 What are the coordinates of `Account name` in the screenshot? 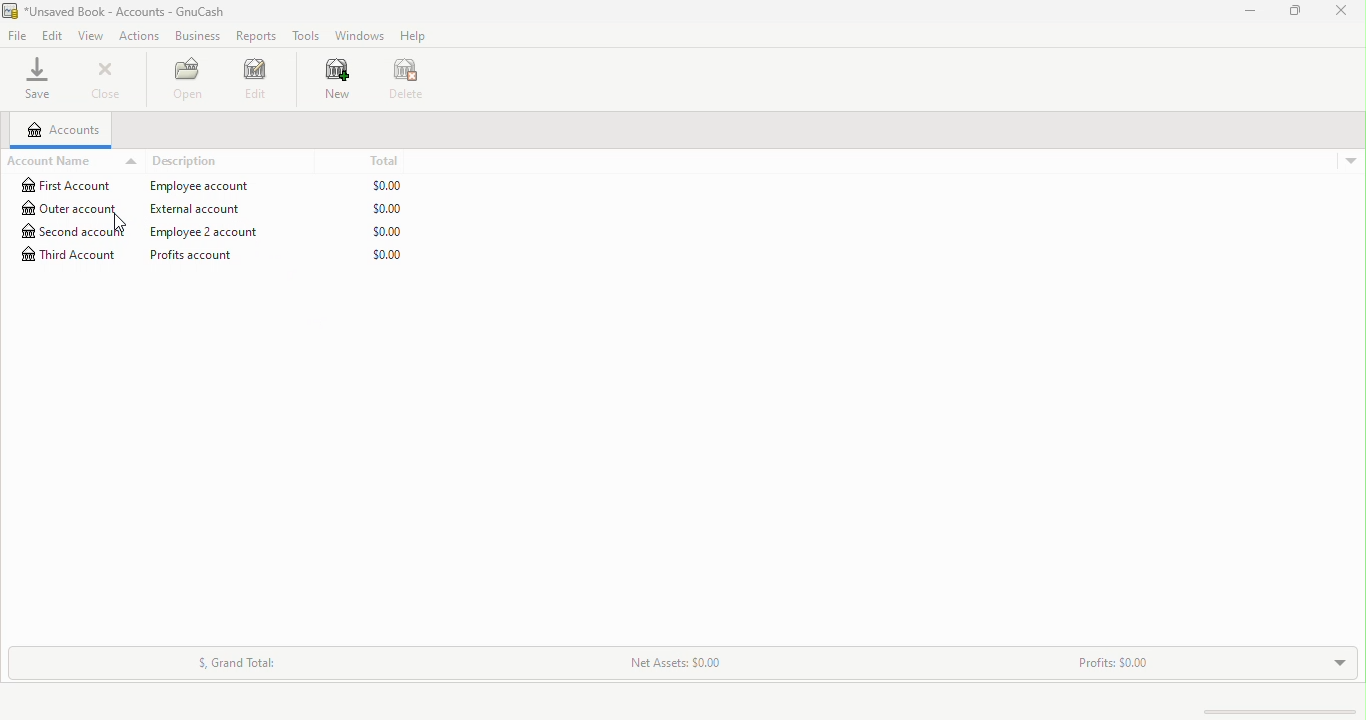 It's located at (71, 161).